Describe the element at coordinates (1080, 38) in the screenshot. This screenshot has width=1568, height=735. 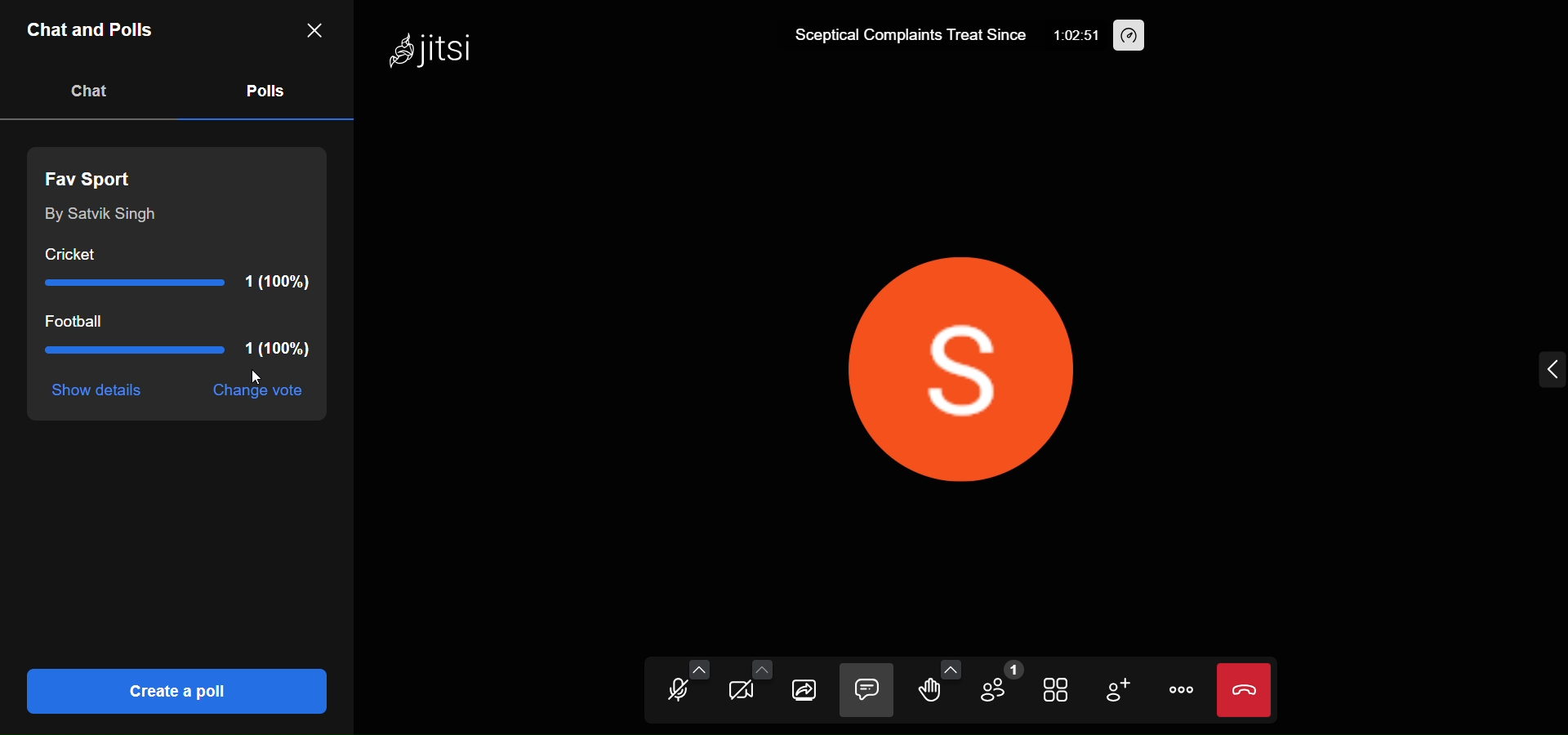
I see `1:02:51` at that location.